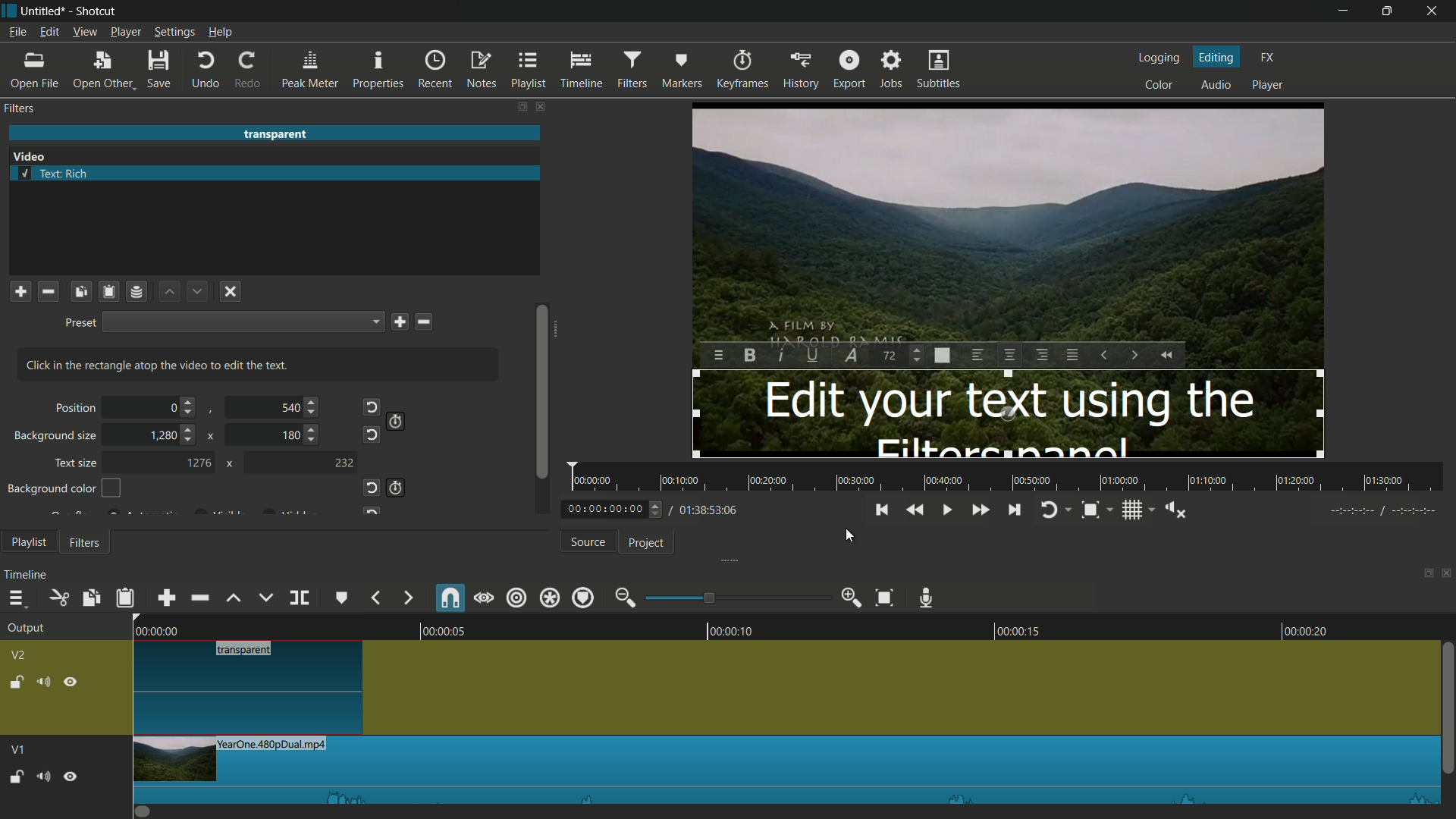 This screenshot has width=1456, height=819. What do you see at coordinates (88, 542) in the screenshot?
I see `filters` at bounding box center [88, 542].